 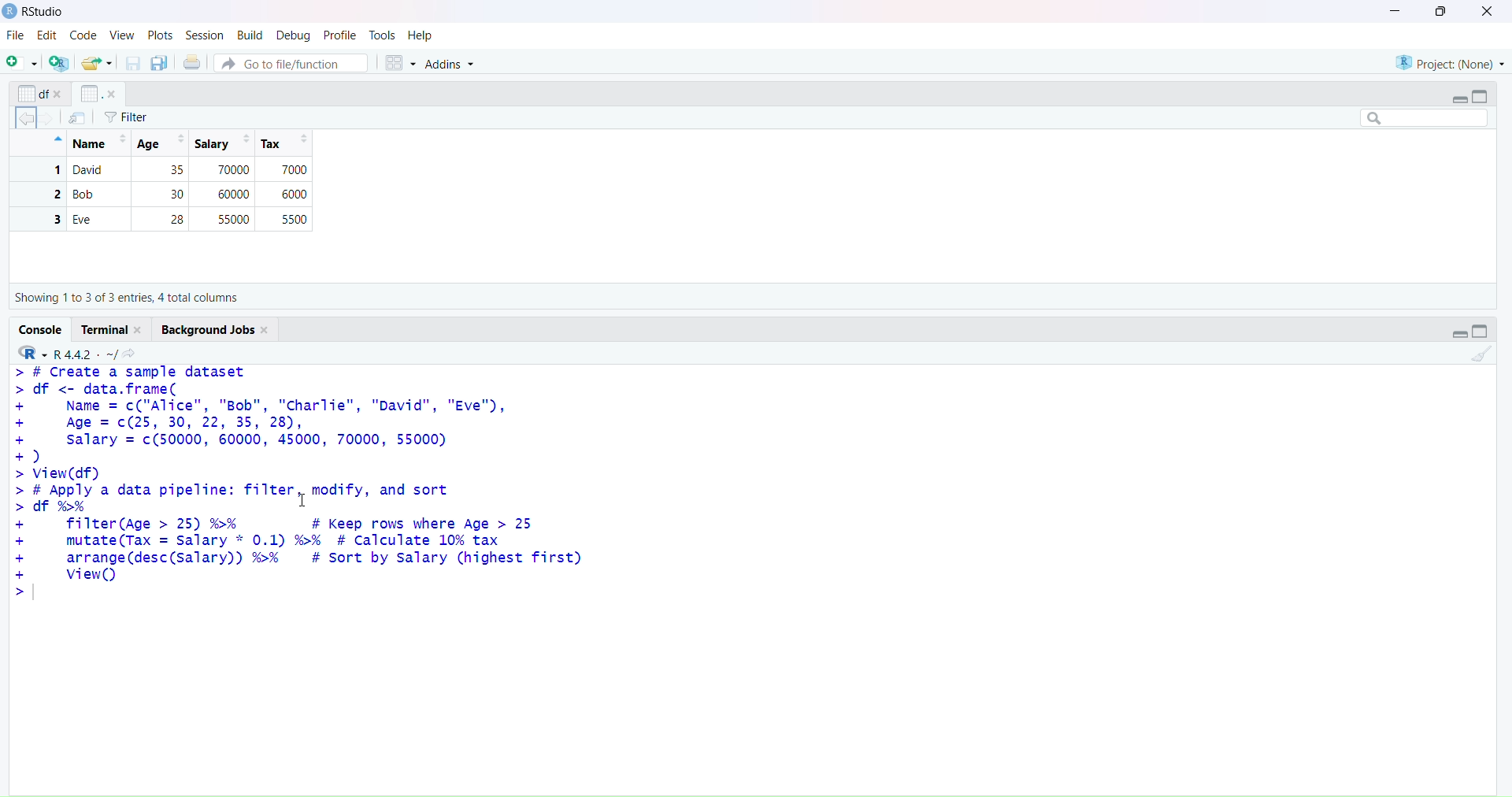 What do you see at coordinates (86, 35) in the screenshot?
I see `code` at bounding box center [86, 35].